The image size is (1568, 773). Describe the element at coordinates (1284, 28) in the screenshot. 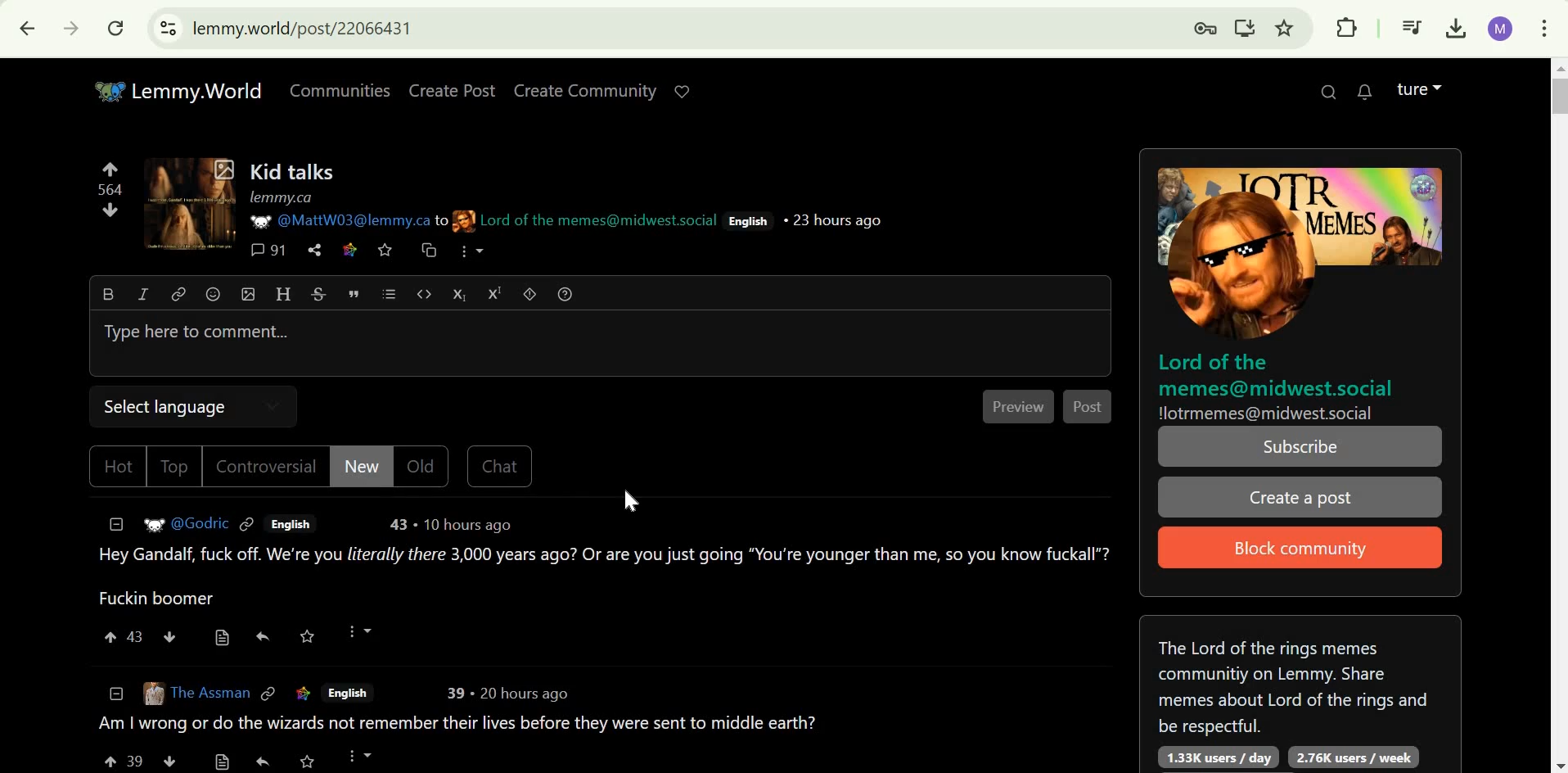

I see `Bookmark this page` at that location.